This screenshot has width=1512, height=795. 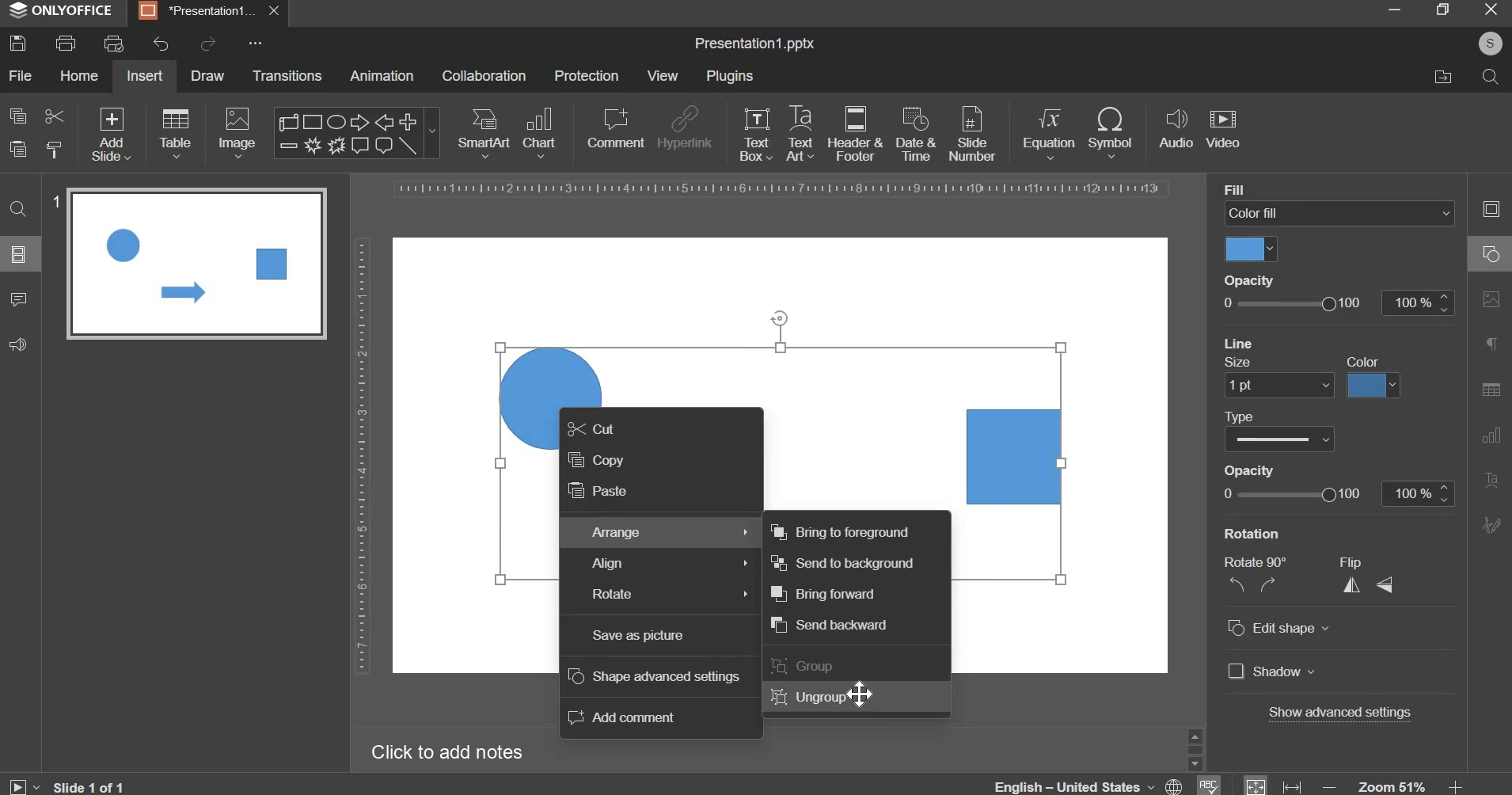 What do you see at coordinates (277, 11) in the screenshot?
I see `close` at bounding box center [277, 11].